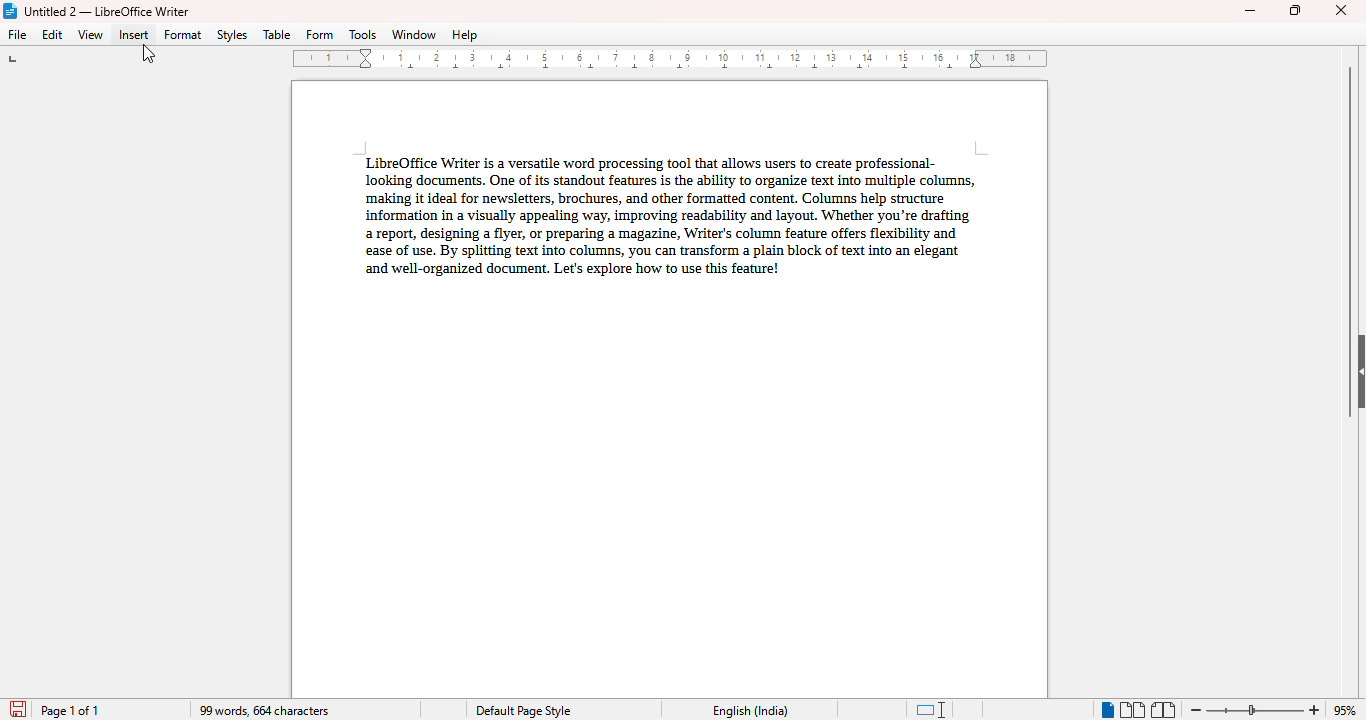  Describe the element at coordinates (1295, 10) in the screenshot. I see `maximize` at that location.